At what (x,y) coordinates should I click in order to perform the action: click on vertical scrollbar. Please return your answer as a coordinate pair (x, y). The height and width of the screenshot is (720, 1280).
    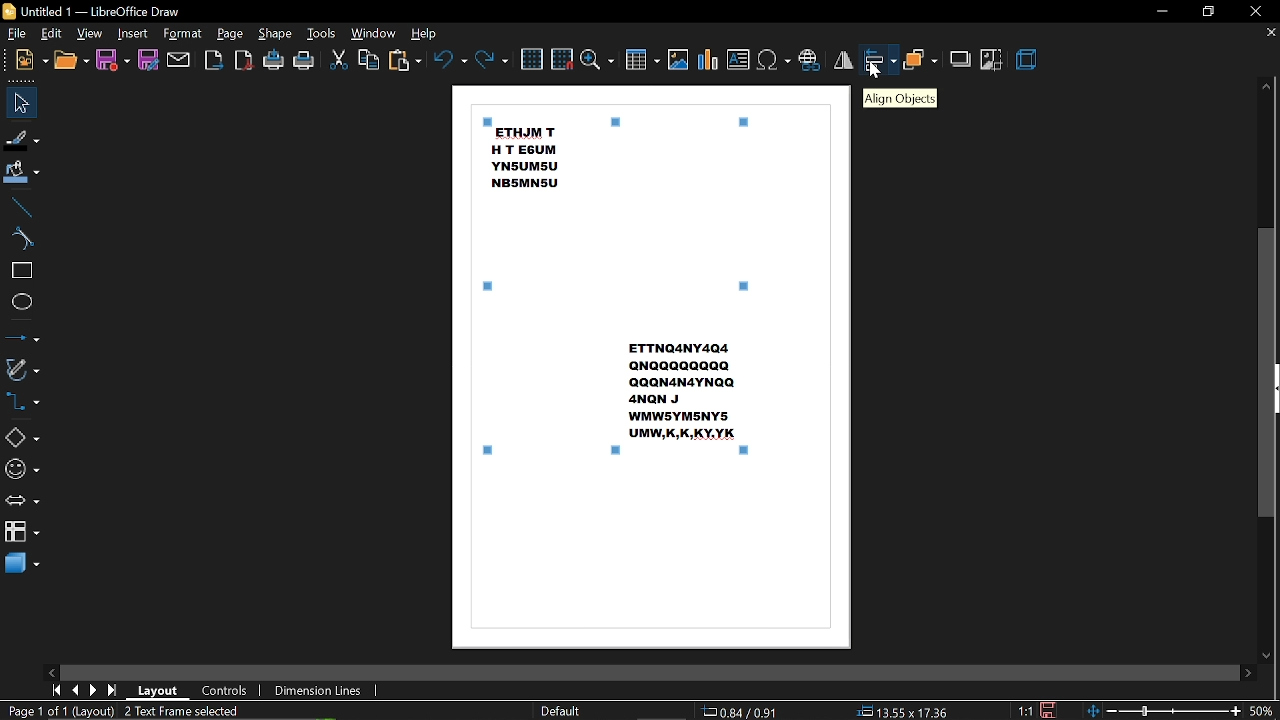
    Looking at the image, I should click on (1267, 371).